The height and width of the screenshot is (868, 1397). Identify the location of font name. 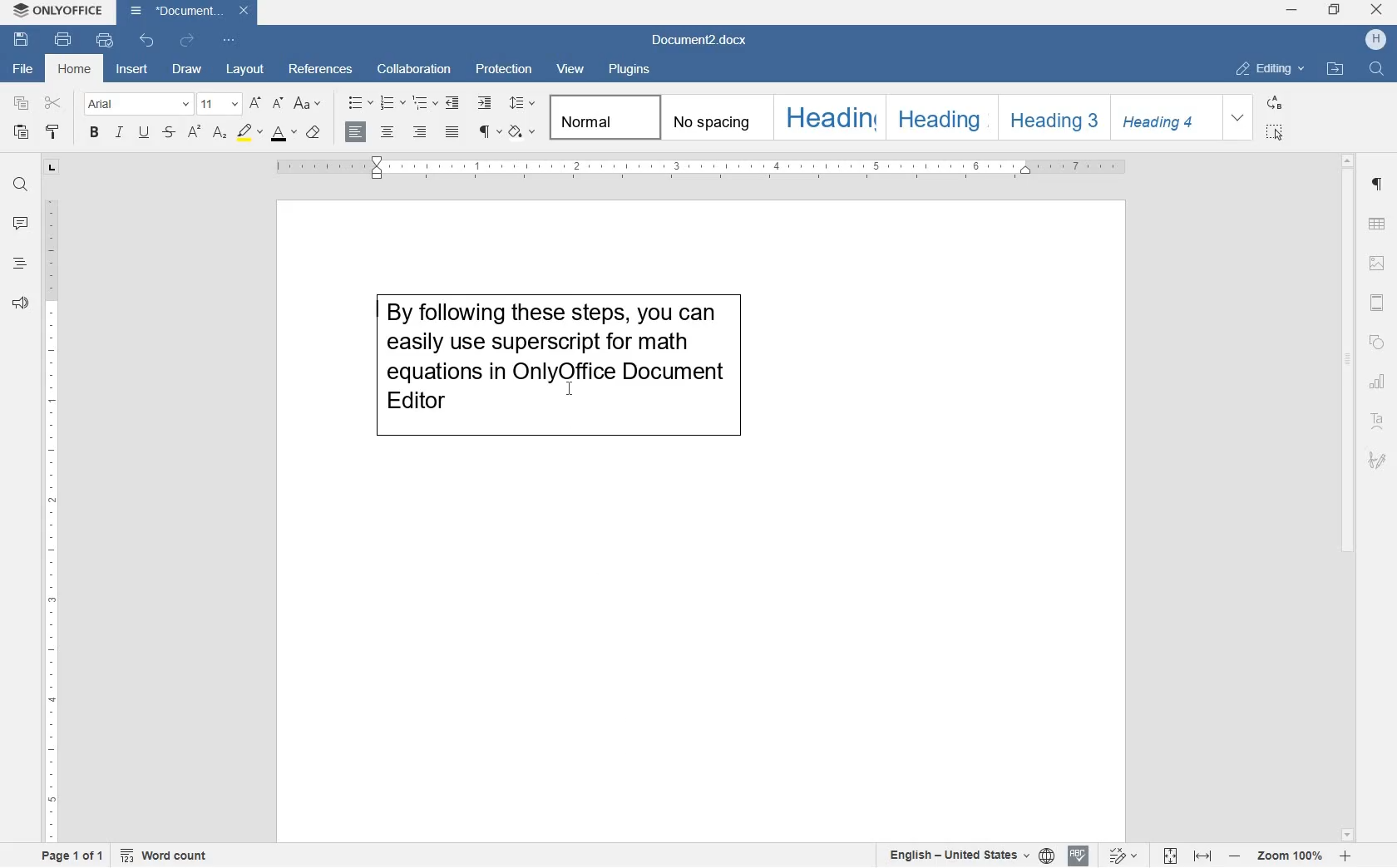
(135, 103).